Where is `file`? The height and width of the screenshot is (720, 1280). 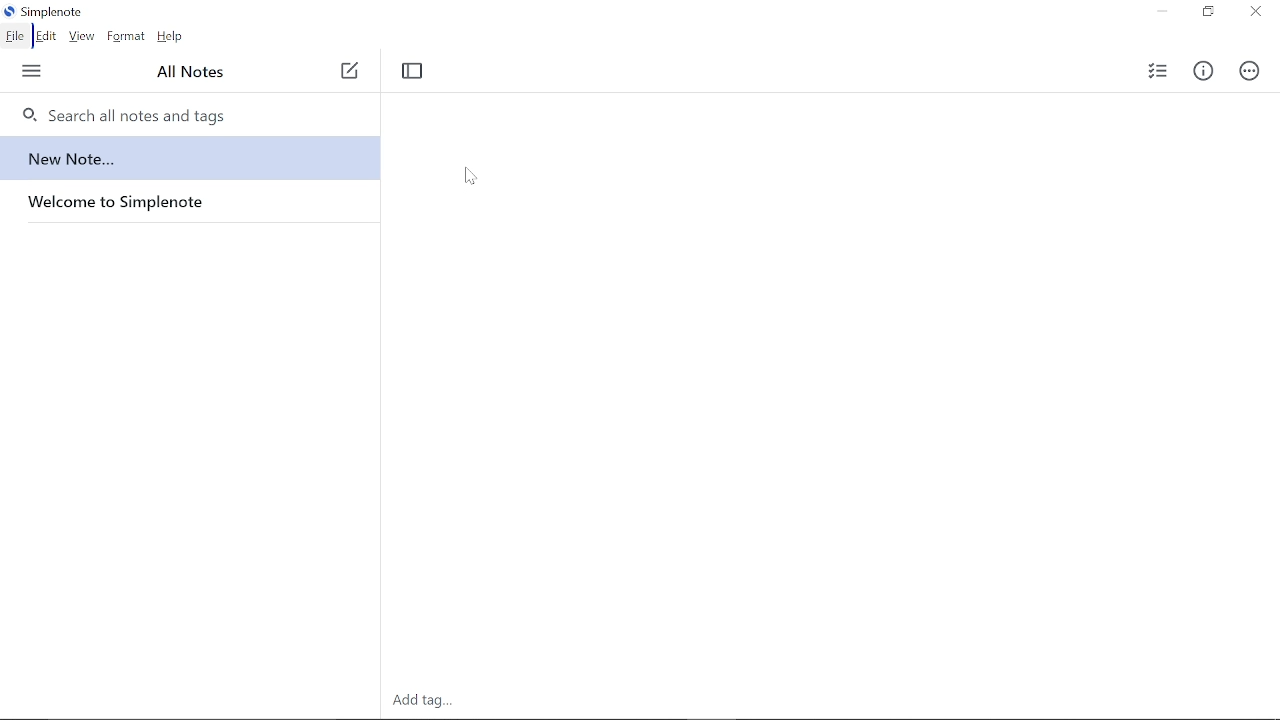
file is located at coordinates (16, 37).